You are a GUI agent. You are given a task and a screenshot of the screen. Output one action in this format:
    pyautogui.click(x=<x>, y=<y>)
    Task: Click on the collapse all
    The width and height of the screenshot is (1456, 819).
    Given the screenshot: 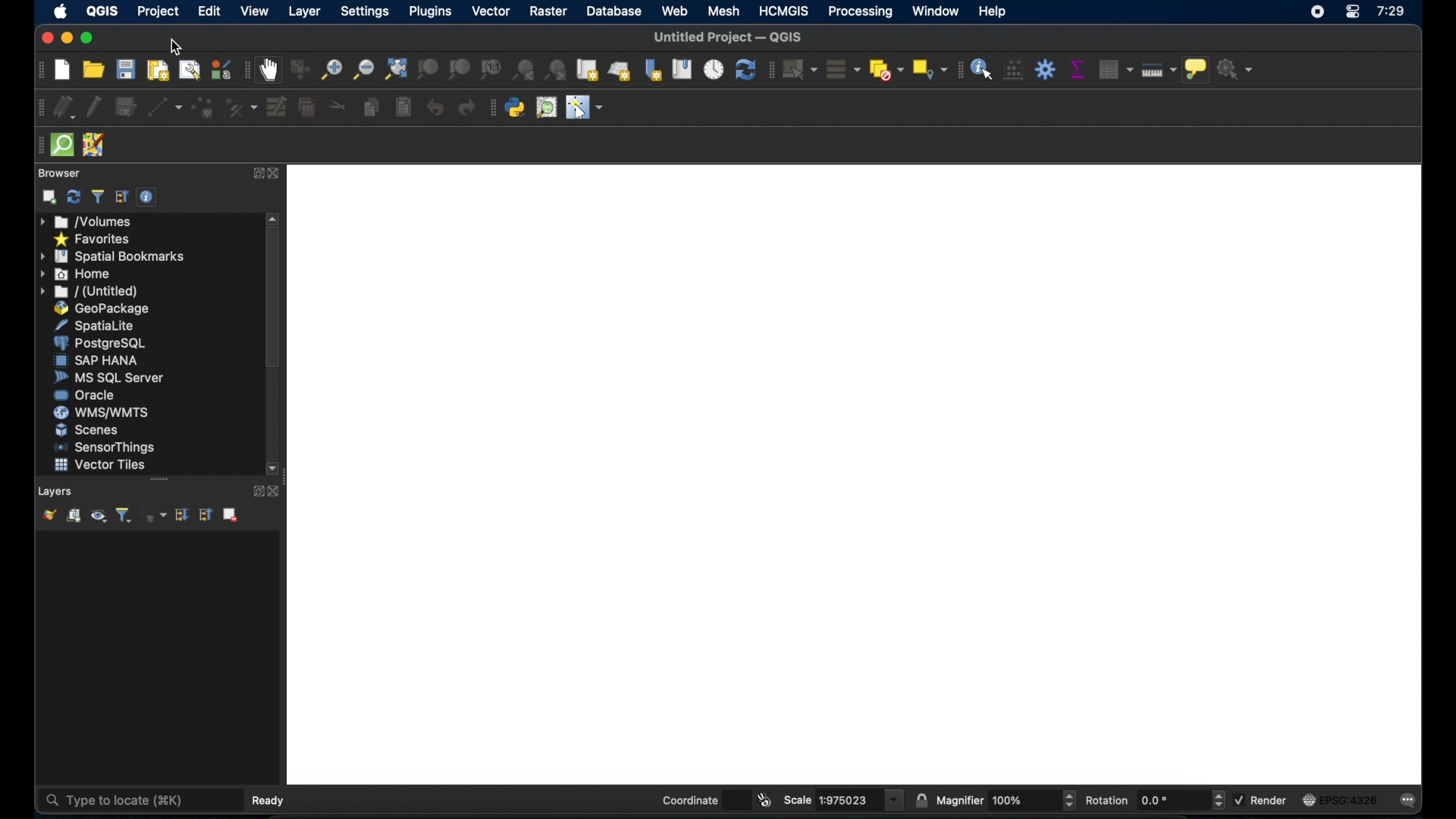 What is the action you would take?
    pyautogui.click(x=206, y=517)
    